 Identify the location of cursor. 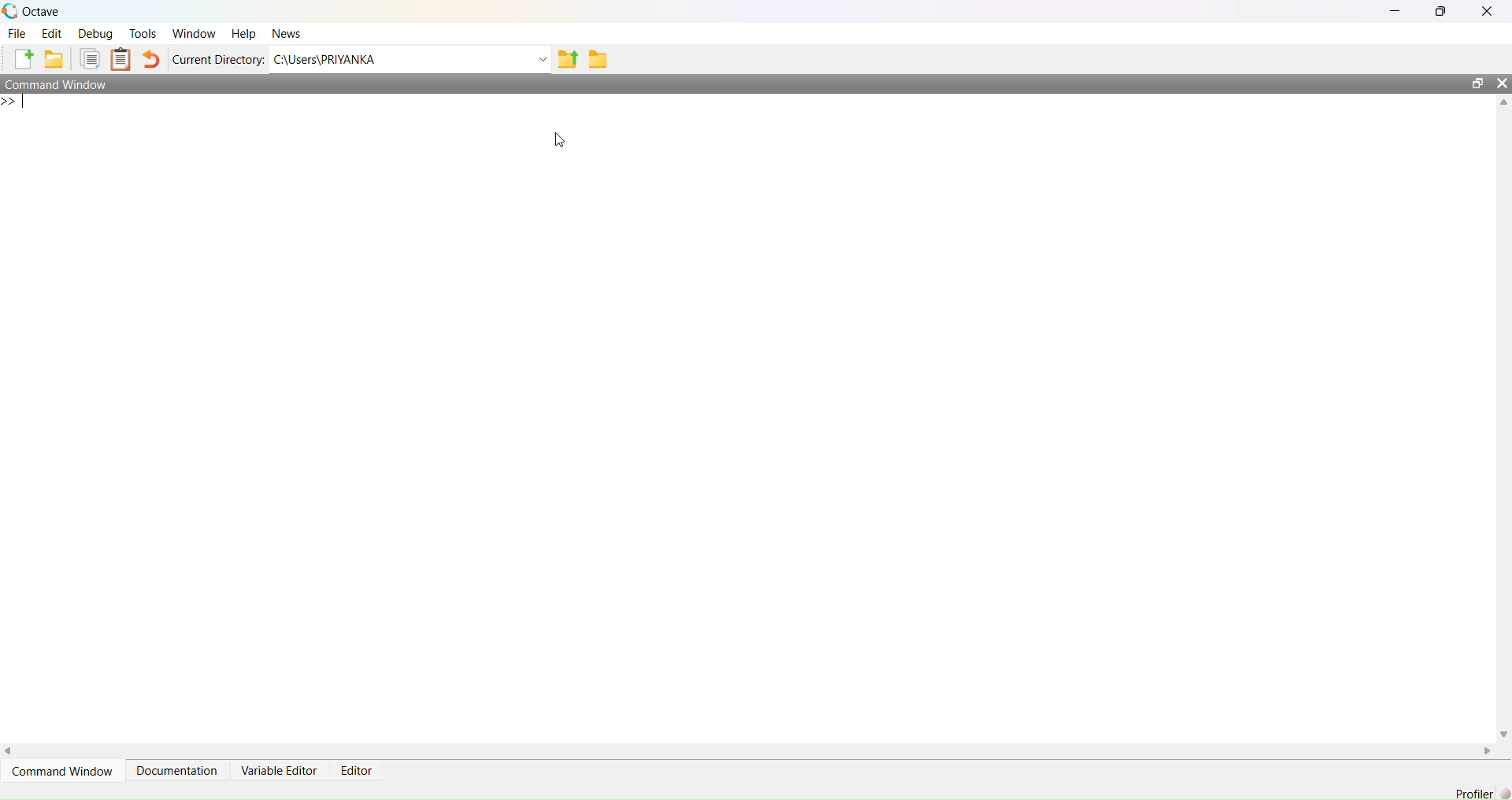
(561, 141).